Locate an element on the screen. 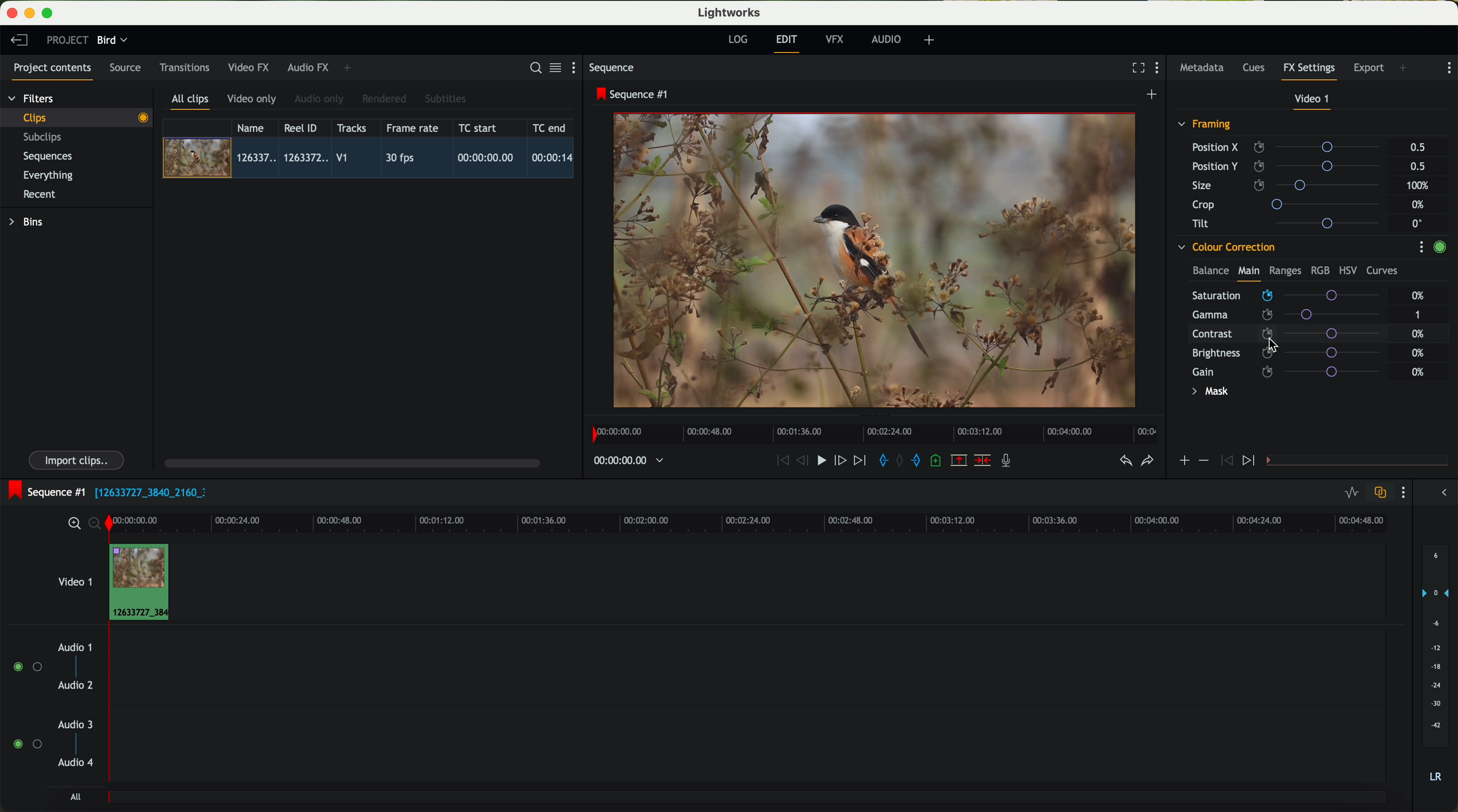 The width and height of the screenshot is (1458, 812). position X is located at coordinates (1290, 147).